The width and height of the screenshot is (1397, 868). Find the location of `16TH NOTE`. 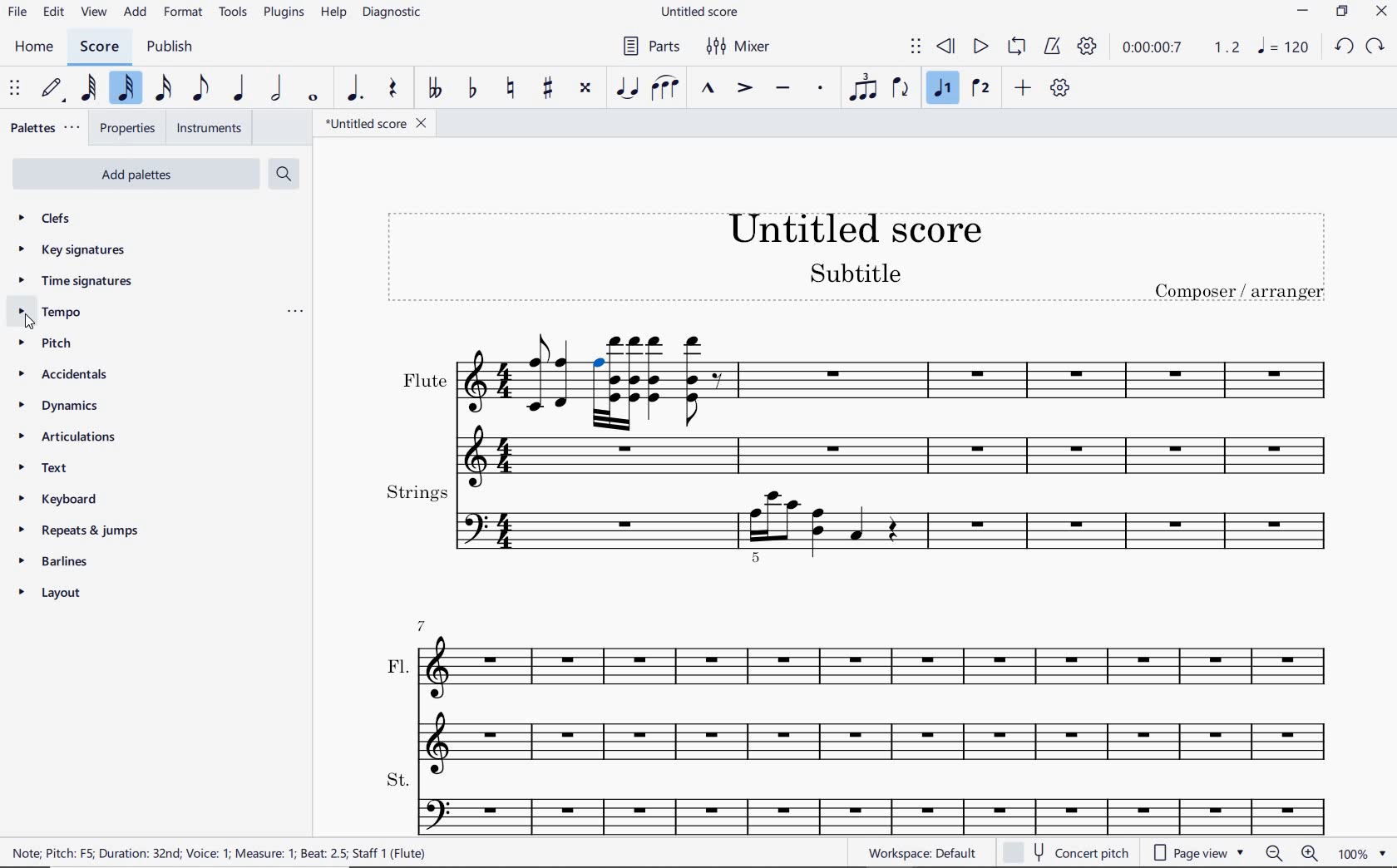

16TH NOTE is located at coordinates (164, 91).